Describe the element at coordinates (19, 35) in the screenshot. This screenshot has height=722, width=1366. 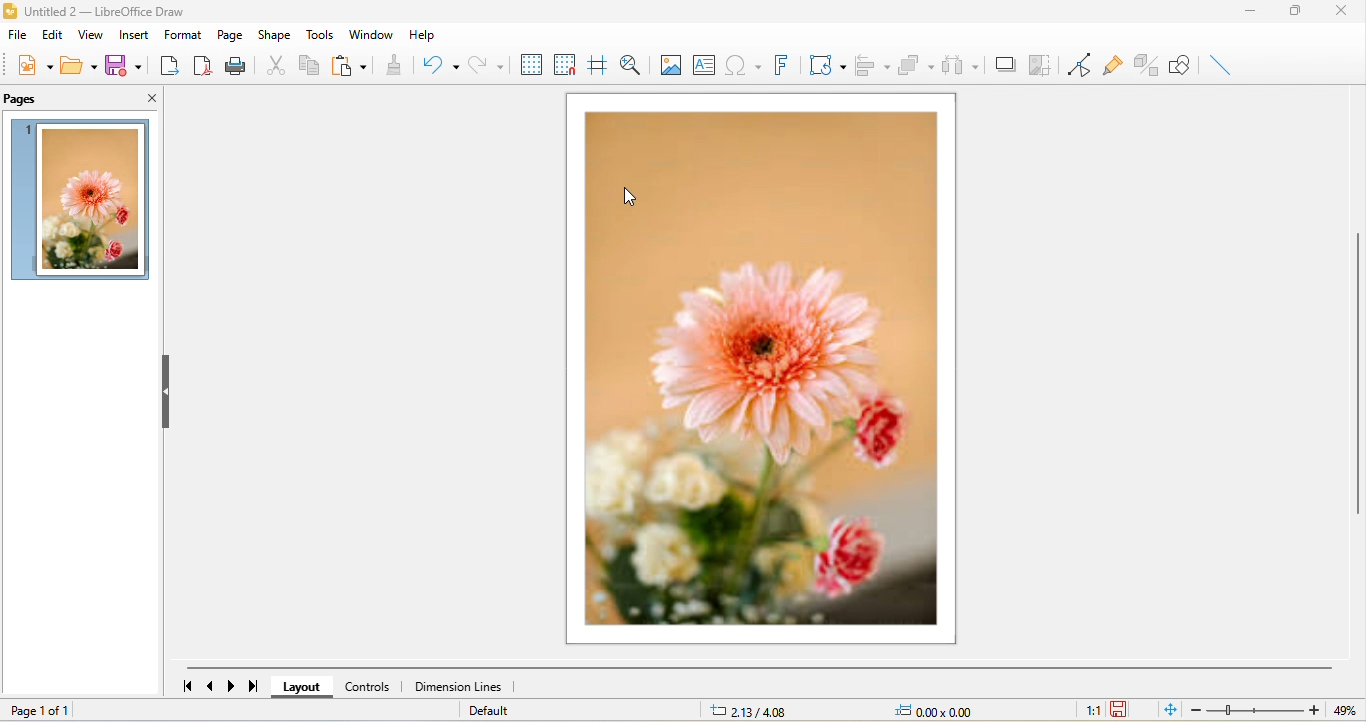
I see `file` at that location.